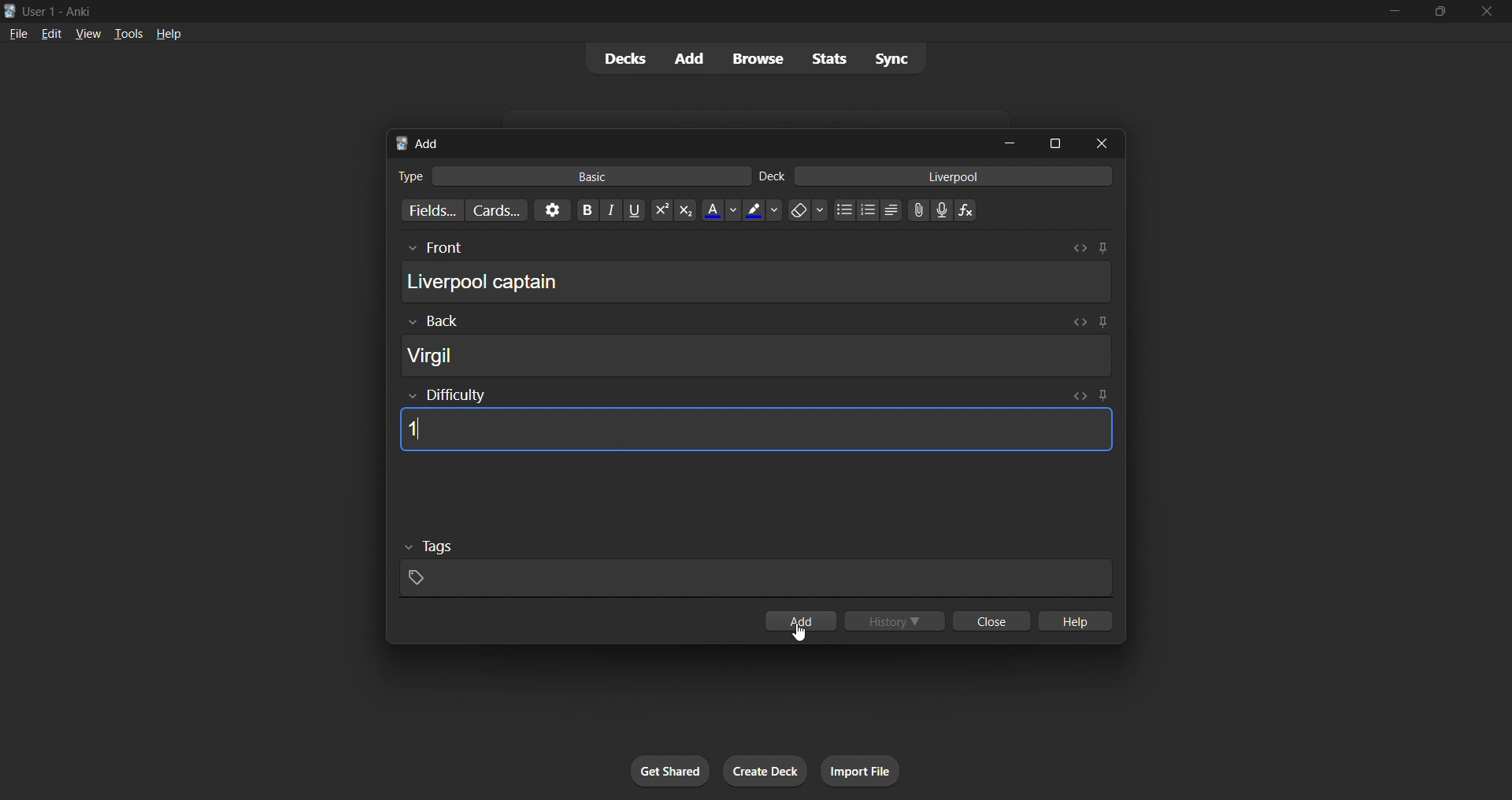 This screenshot has height=800, width=1512. I want to click on create deck, so click(765, 771).